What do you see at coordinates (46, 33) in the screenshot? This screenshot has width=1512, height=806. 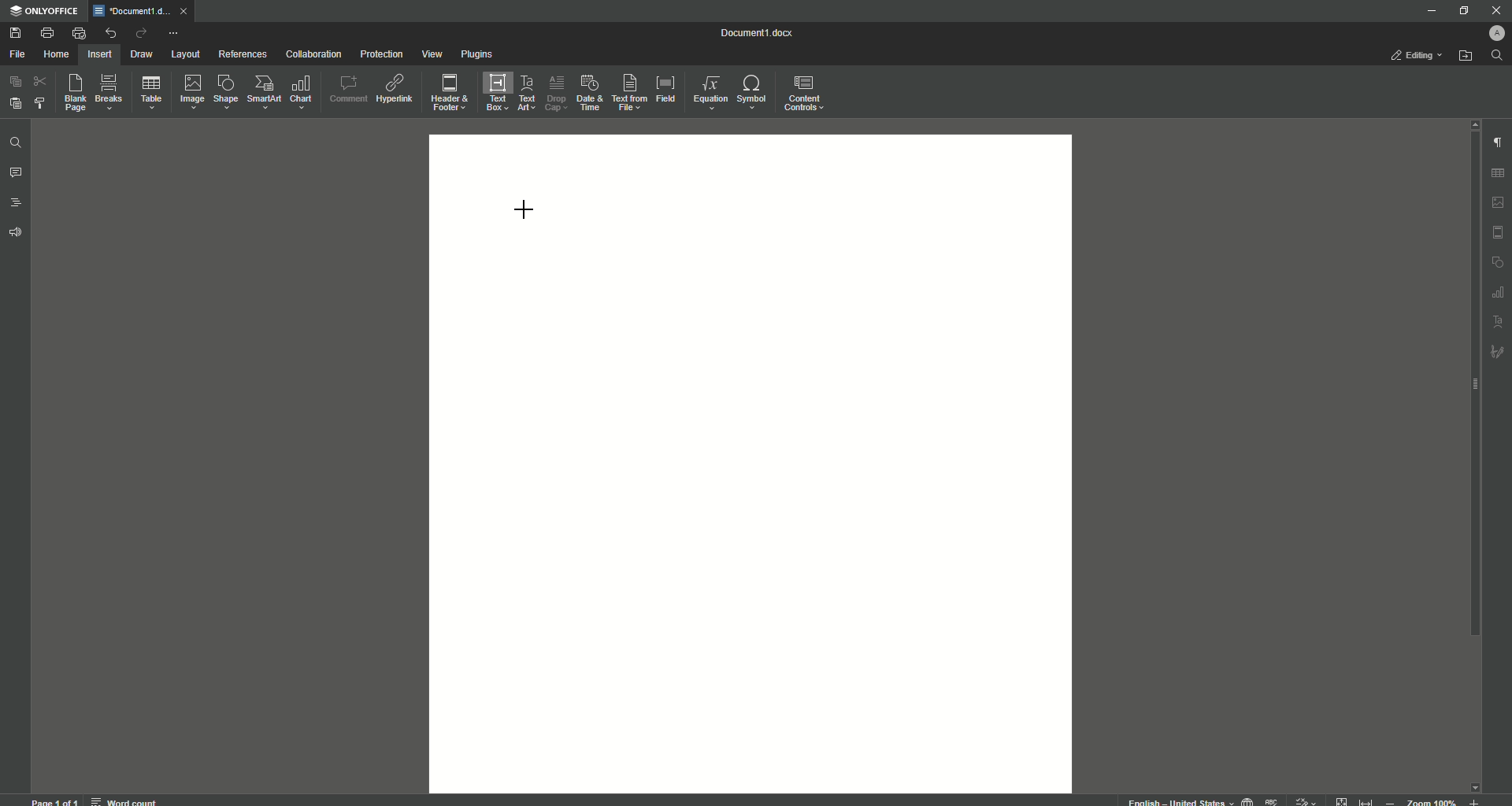 I see `Print` at bounding box center [46, 33].